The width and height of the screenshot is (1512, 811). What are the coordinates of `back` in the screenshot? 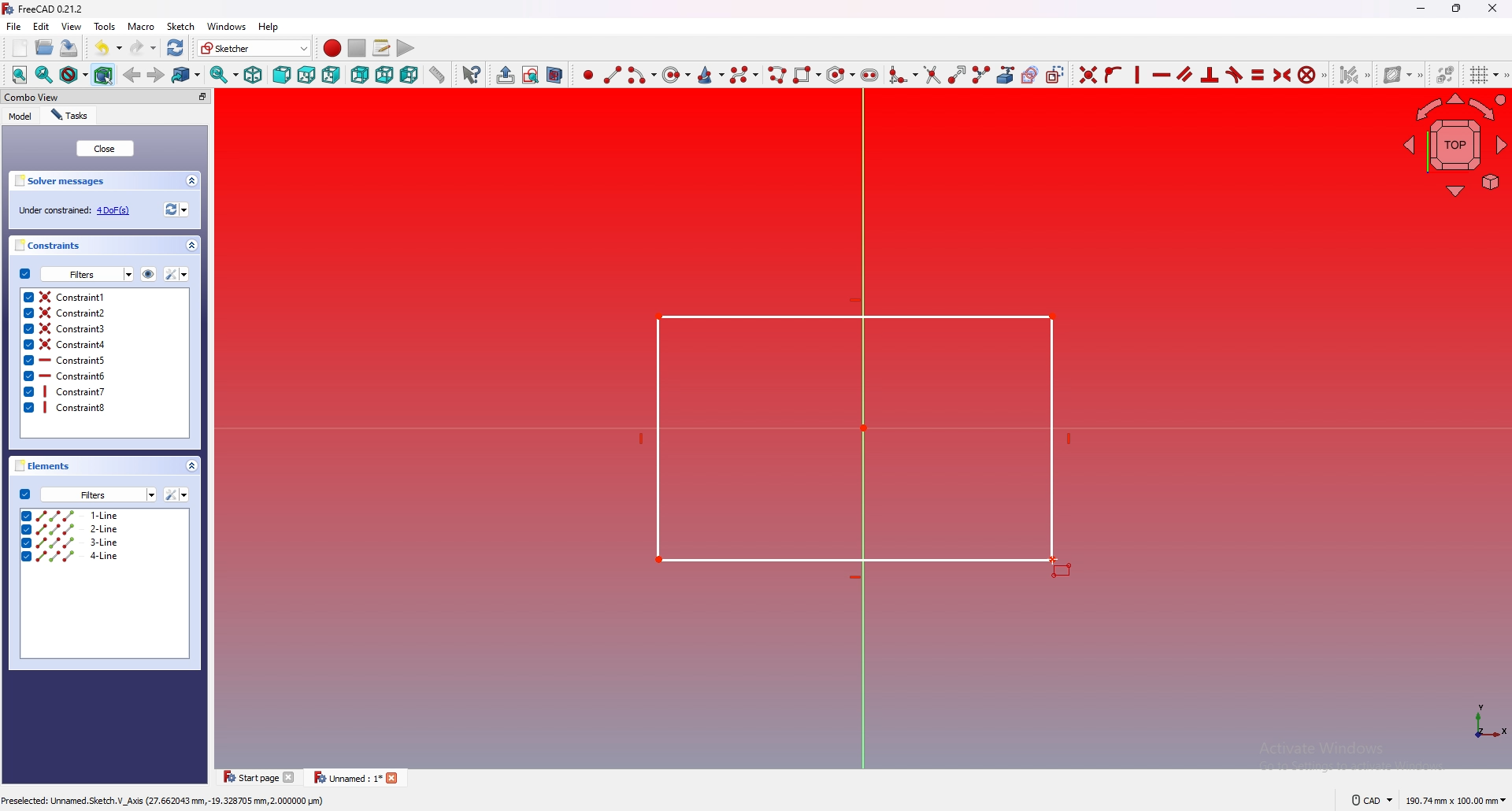 It's located at (132, 74).